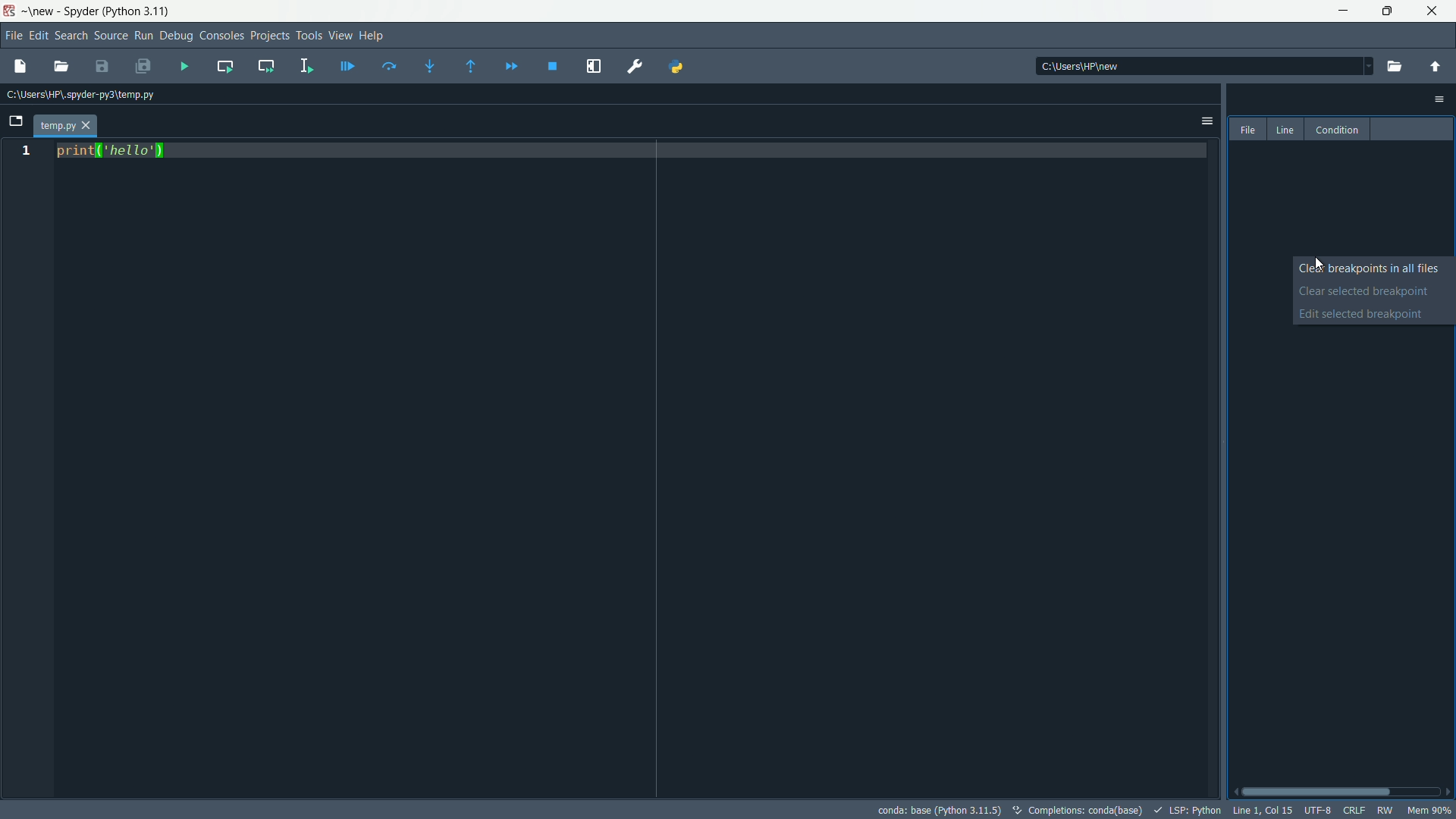 The height and width of the screenshot is (819, 1456). Describe the element at coordinates (310, 36) in the screenshot. I see `tools menu` at that location.